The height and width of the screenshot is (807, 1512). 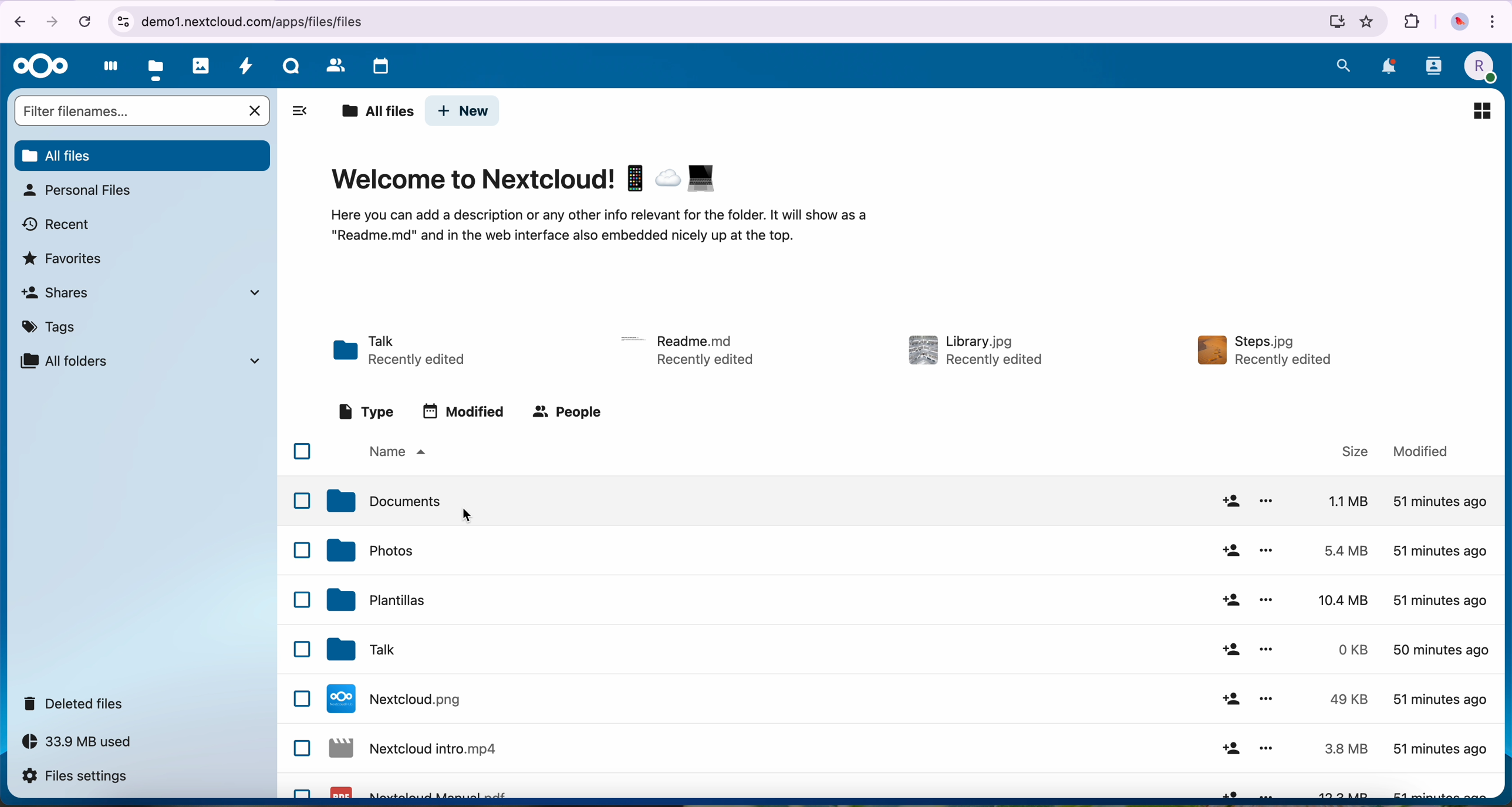 I want to click on library.jpg - recently edited, so click(x=983, y=350).